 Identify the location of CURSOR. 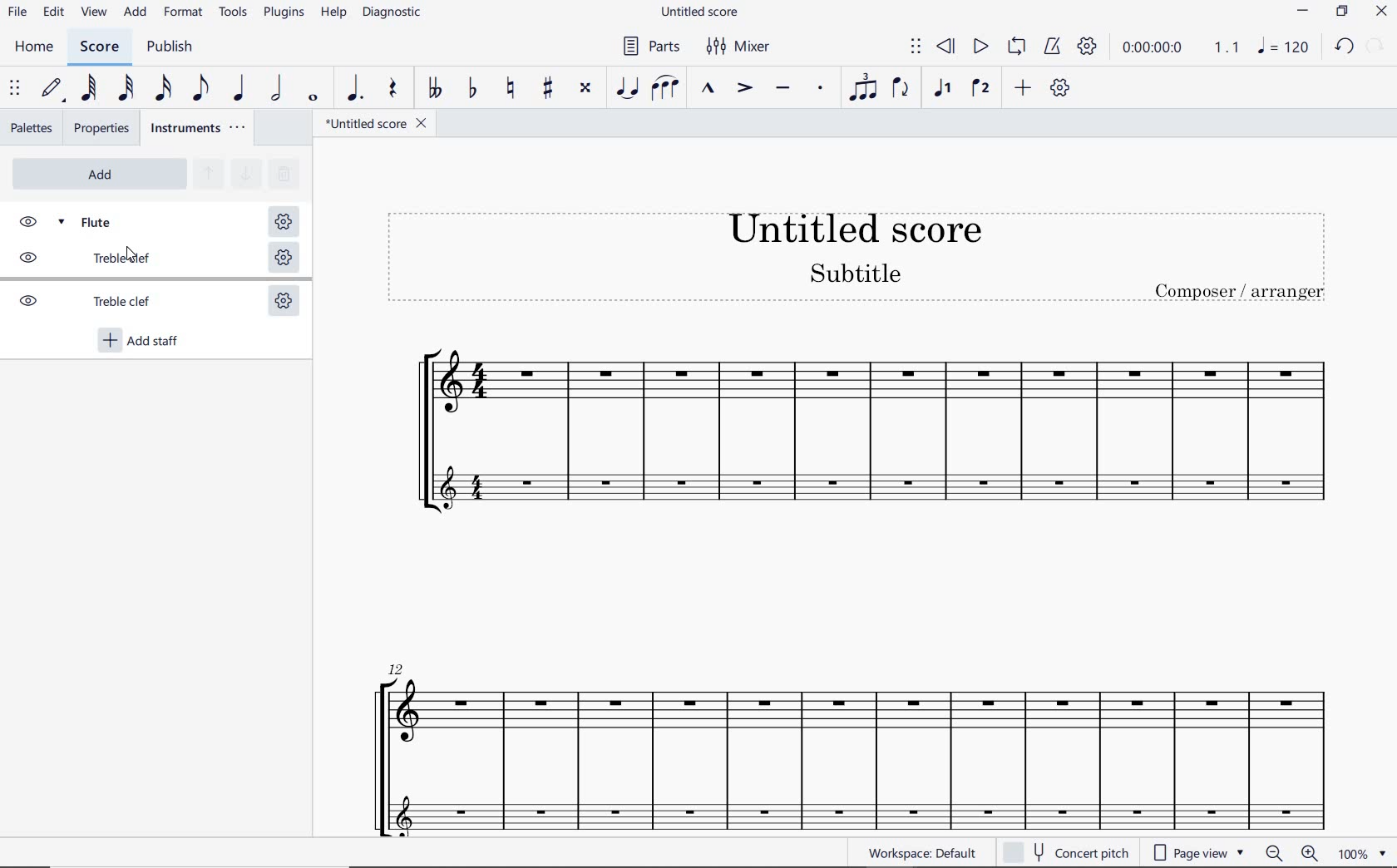
(136, 258).